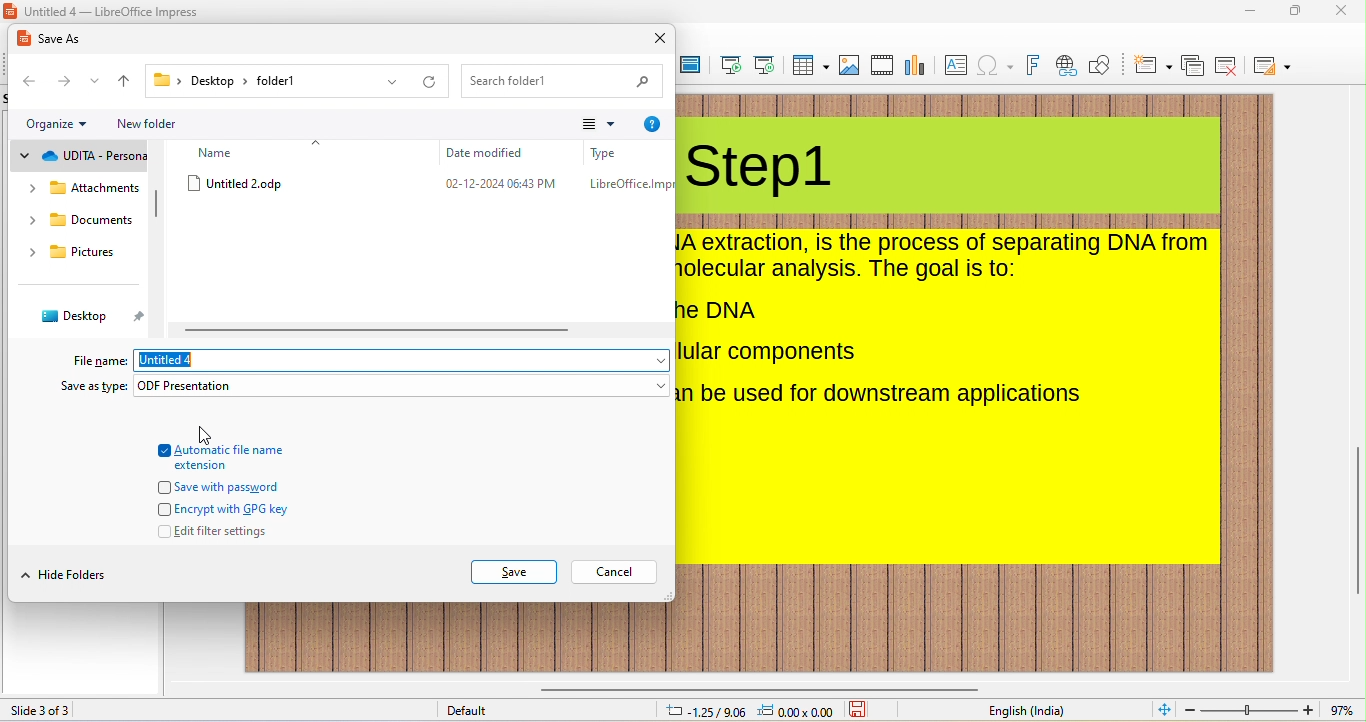  What do you see at coordinates (88, 255) in the screenshot?
I see `pictures` at bounding box center [88, 255].